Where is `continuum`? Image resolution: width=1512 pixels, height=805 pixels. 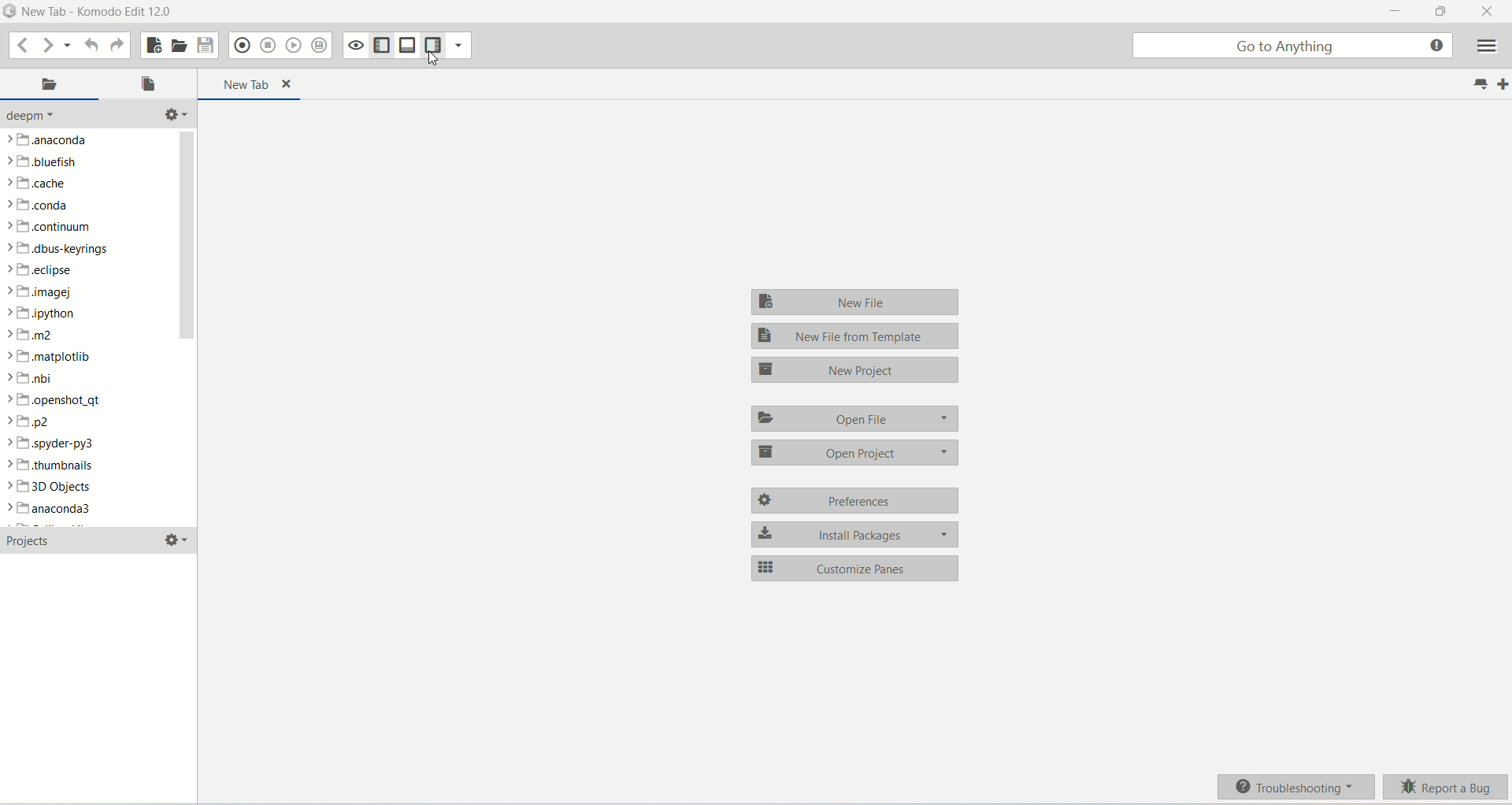
continuum is located at coordinates (54, 225).